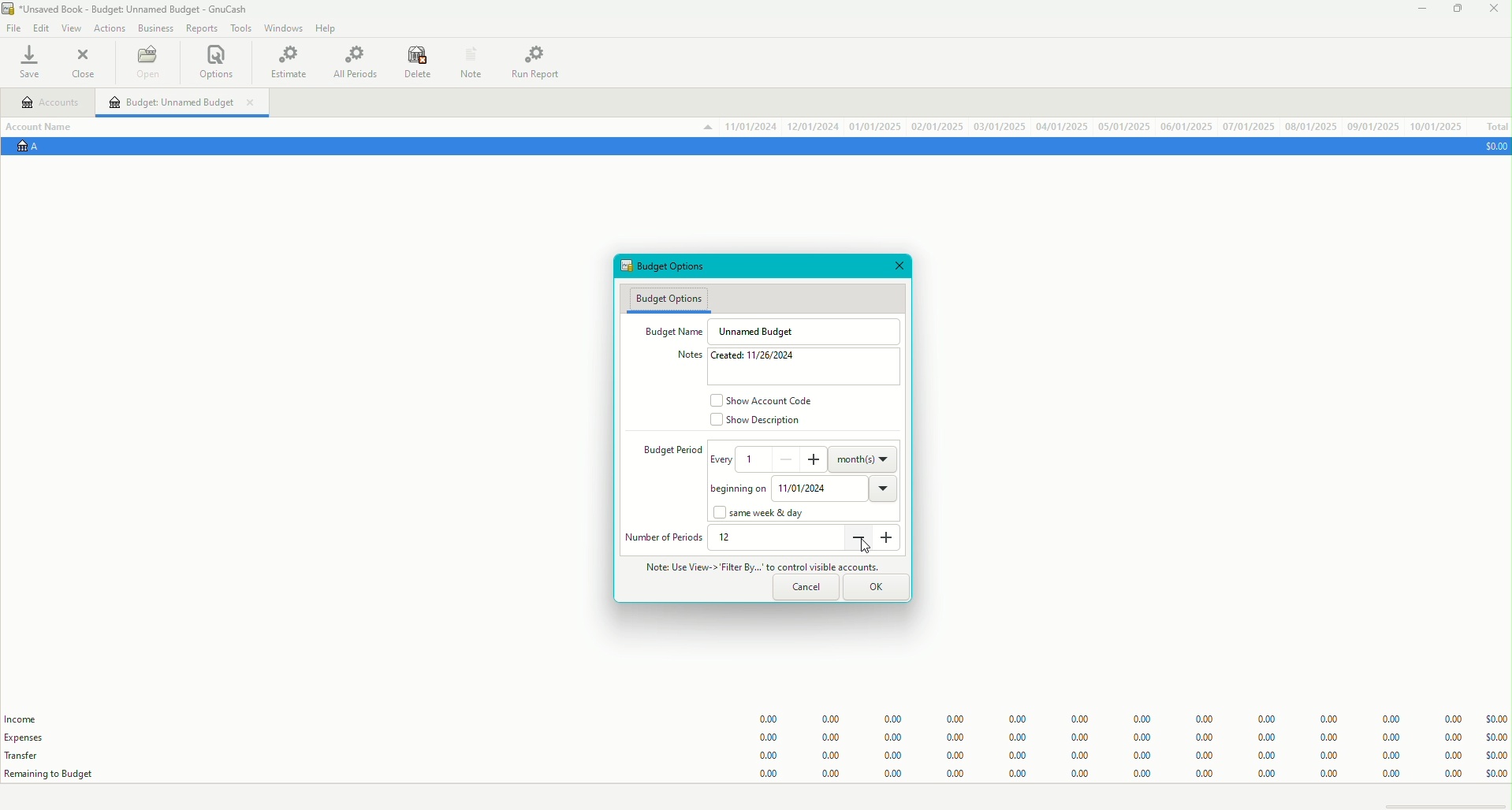 Image resolution: width=1512 pixels, height=810 pixels. I want to click on Restore, so click(1456, 10).